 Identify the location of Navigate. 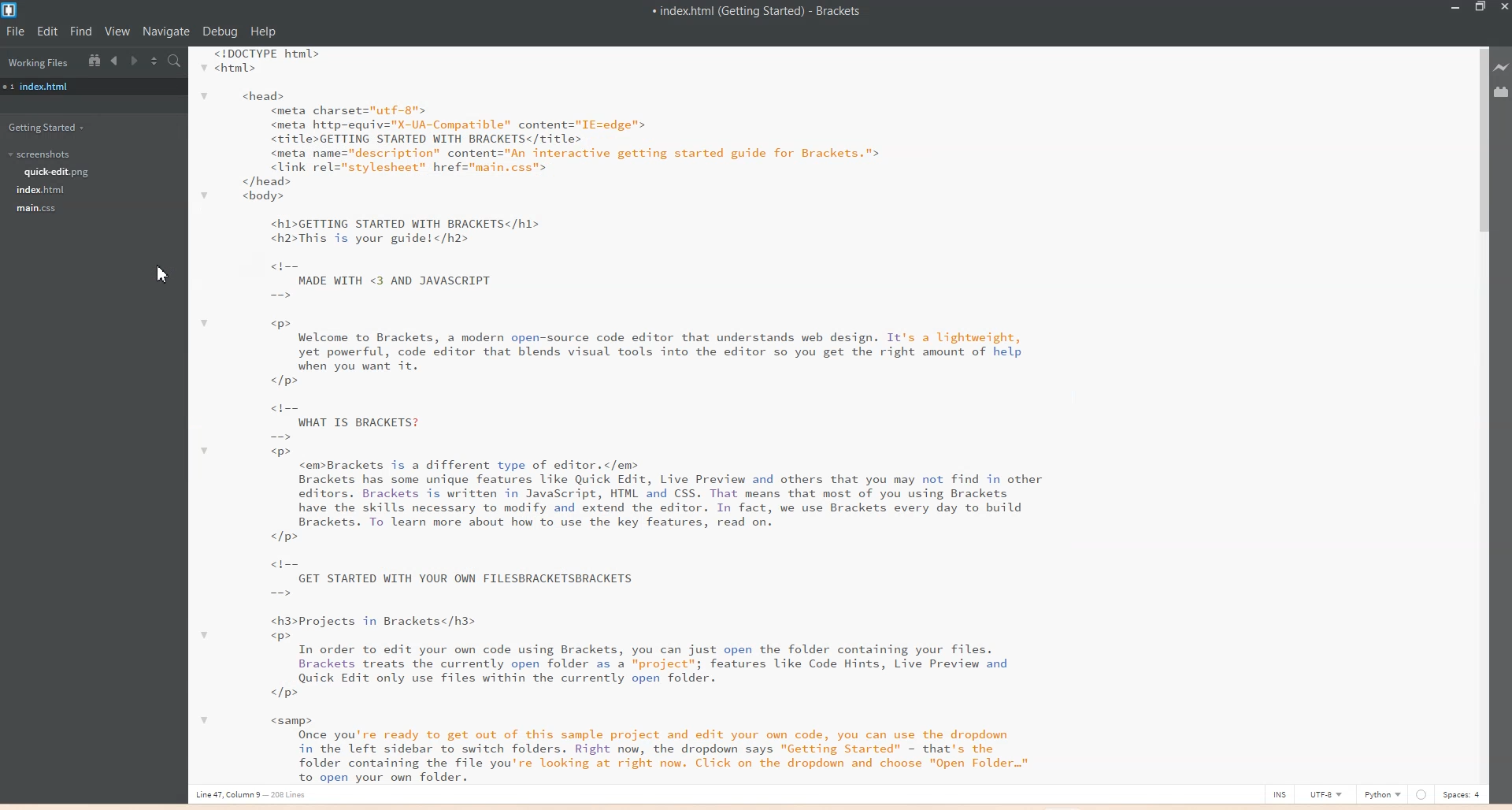
(167, 32).